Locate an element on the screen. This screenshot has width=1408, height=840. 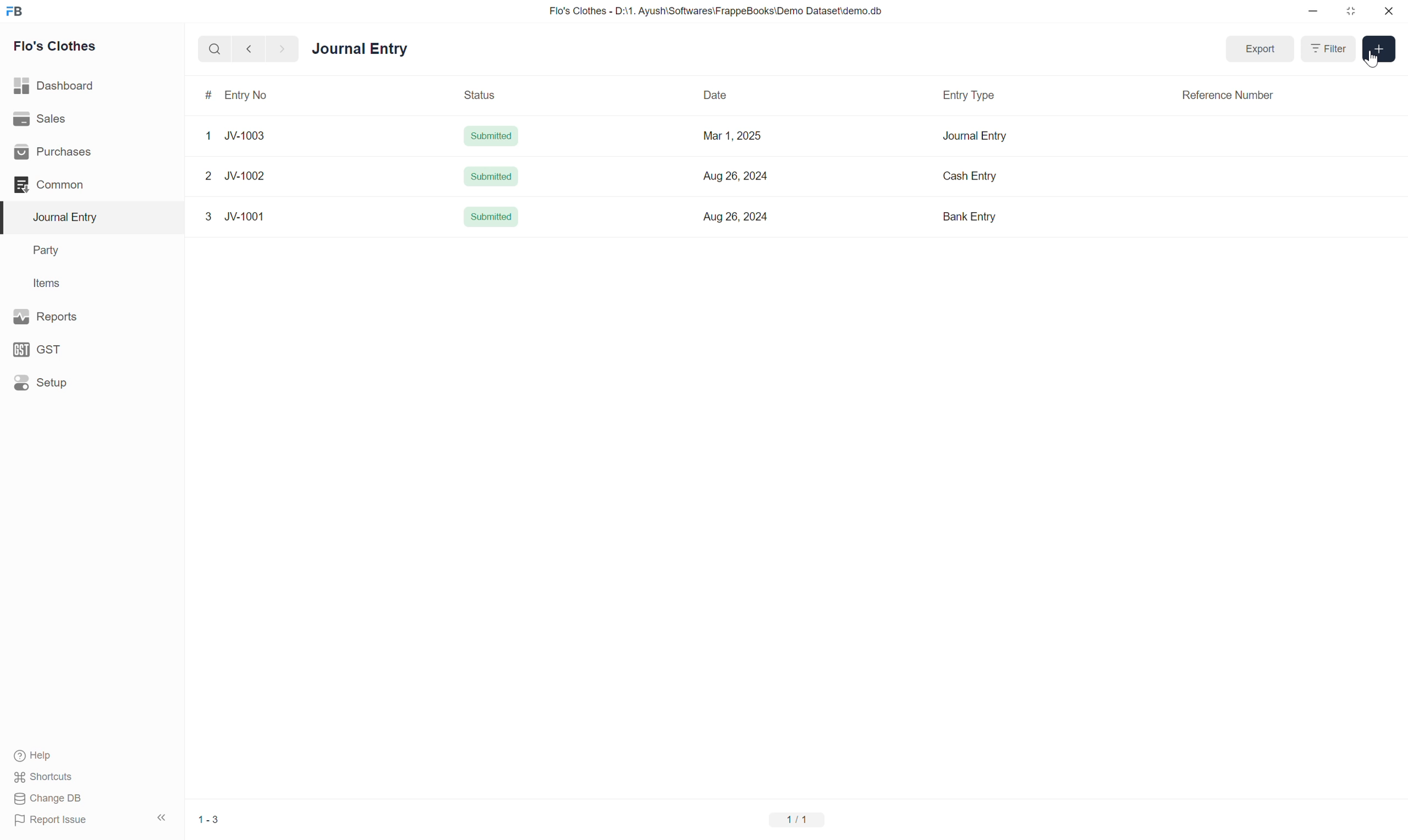
Reference Number is located at coordinates (1228, 96).